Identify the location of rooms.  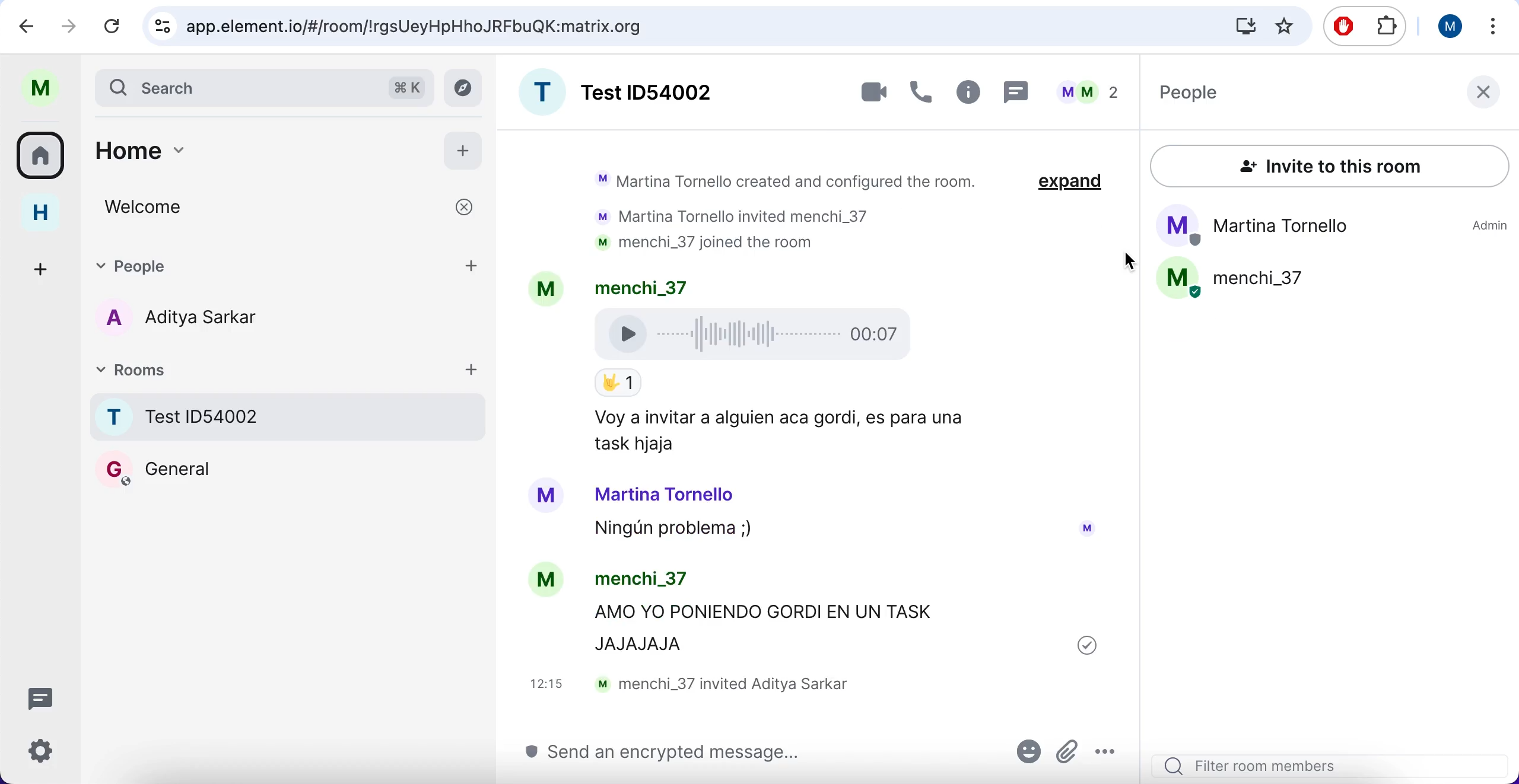
(267, 368).